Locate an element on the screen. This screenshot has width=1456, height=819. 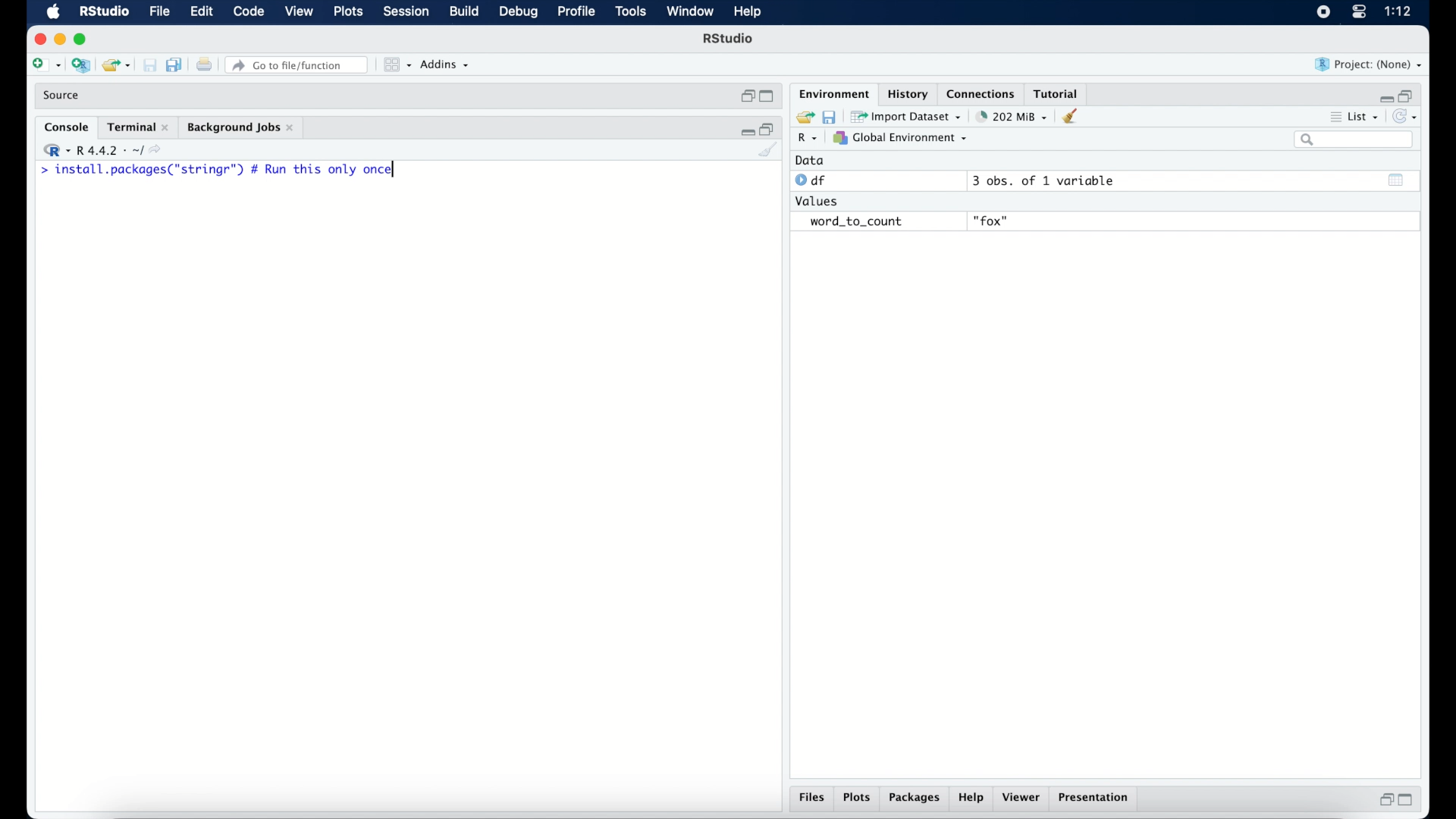
save is located at coordinates (152, 66).